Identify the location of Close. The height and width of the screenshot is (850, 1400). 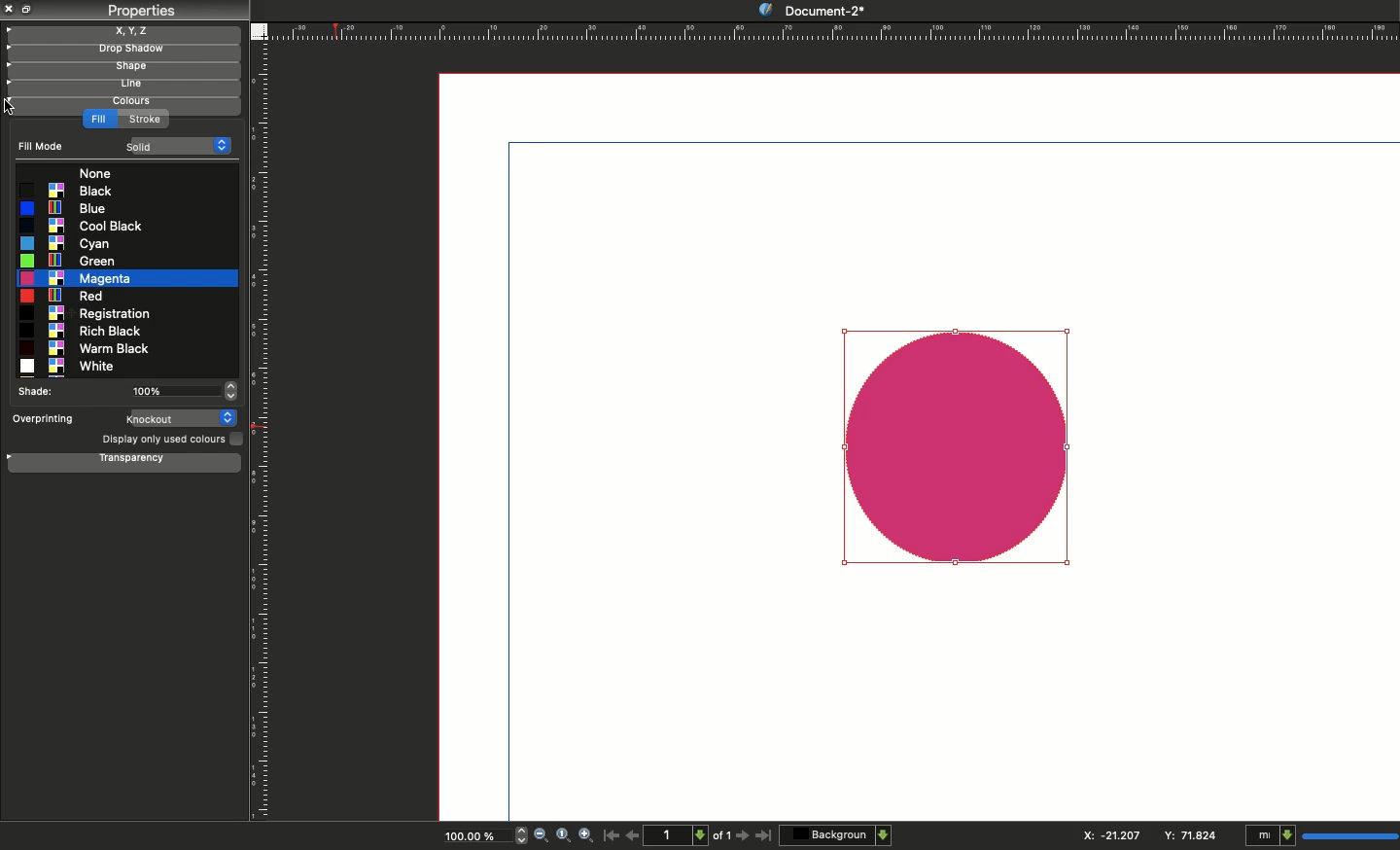
(10, 9).